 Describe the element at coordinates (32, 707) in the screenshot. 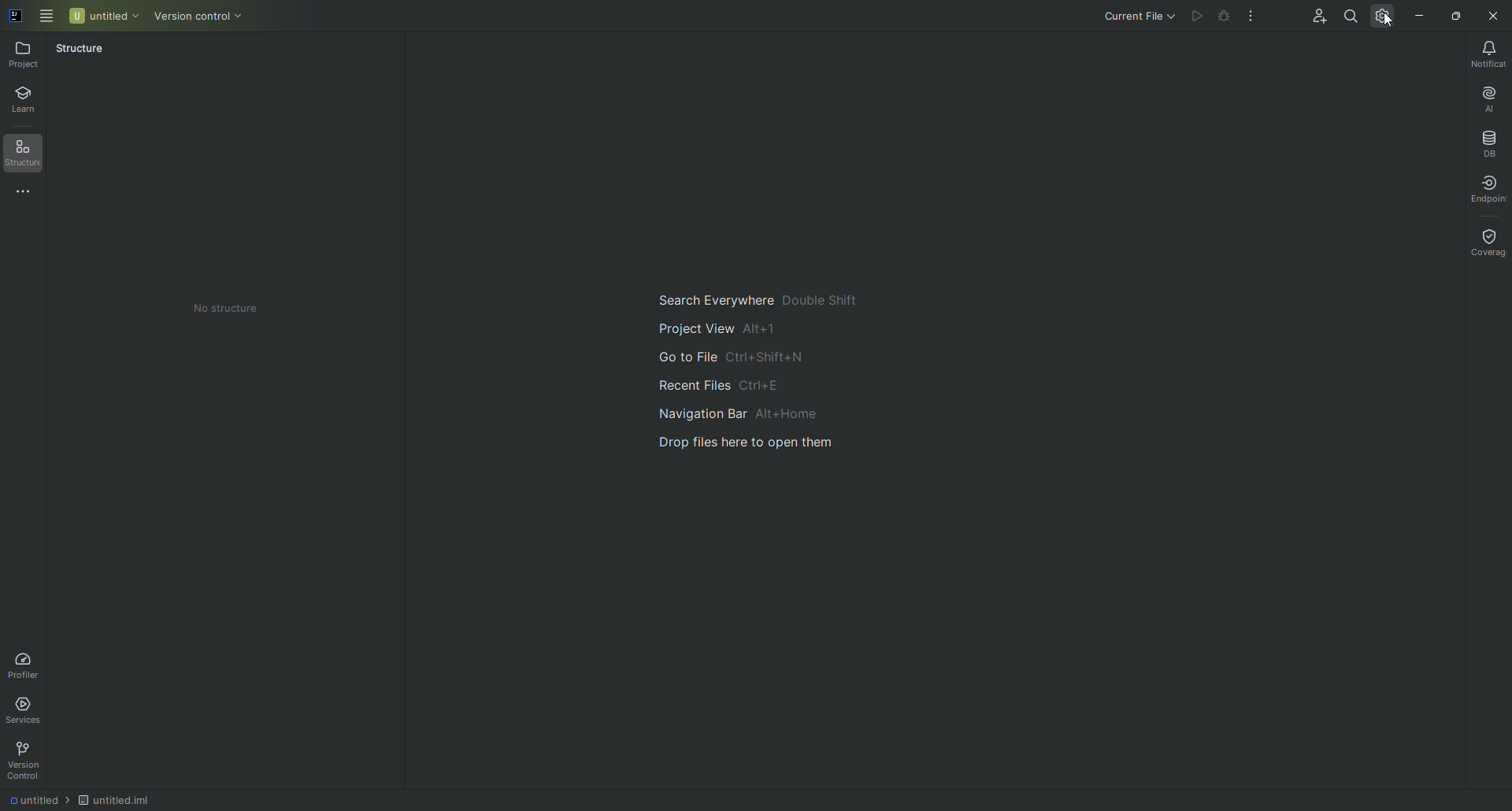

I see `Services` at that location.